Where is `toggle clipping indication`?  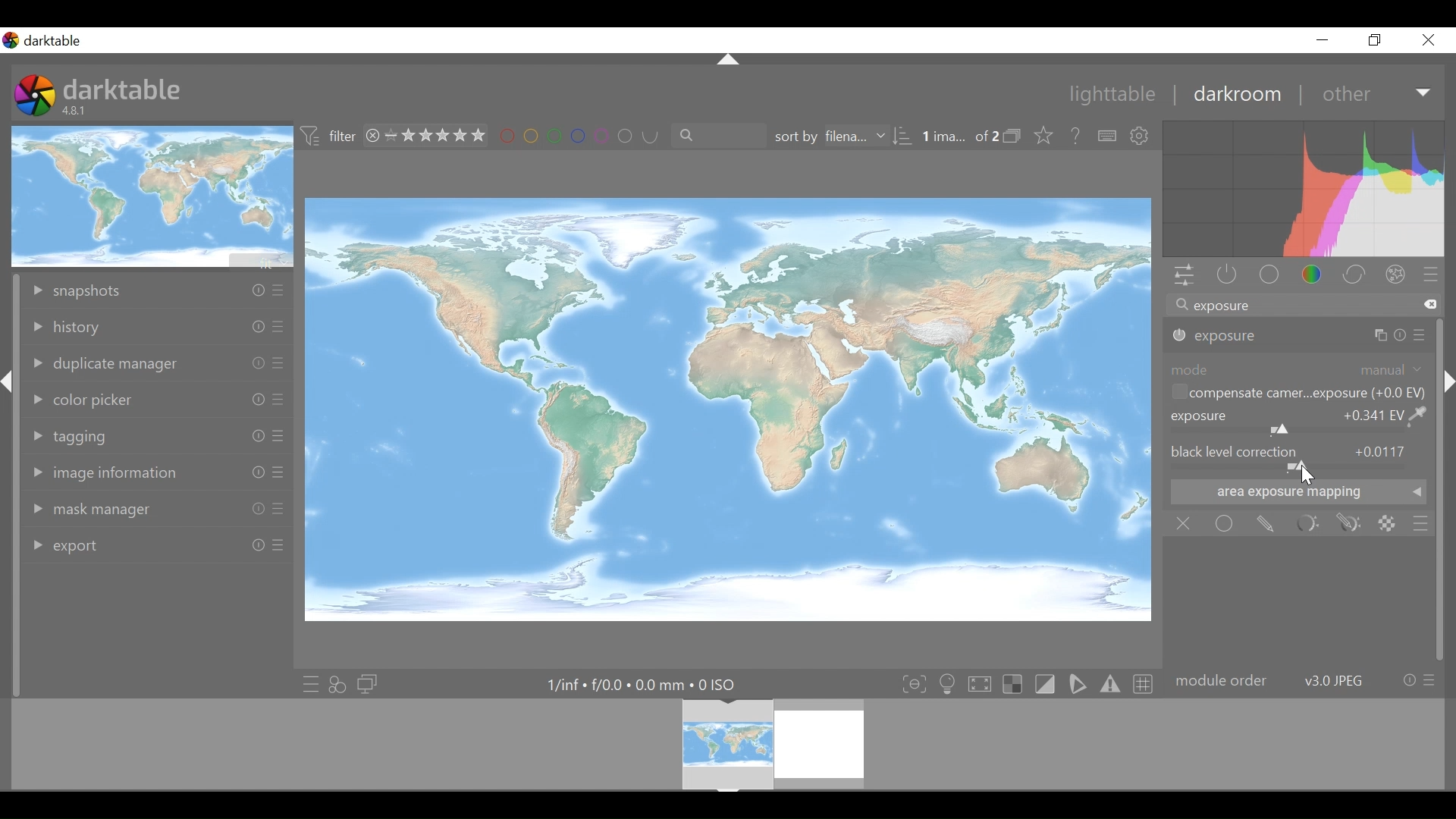
toggle clipping indication is located at coordinates (1044, 684).